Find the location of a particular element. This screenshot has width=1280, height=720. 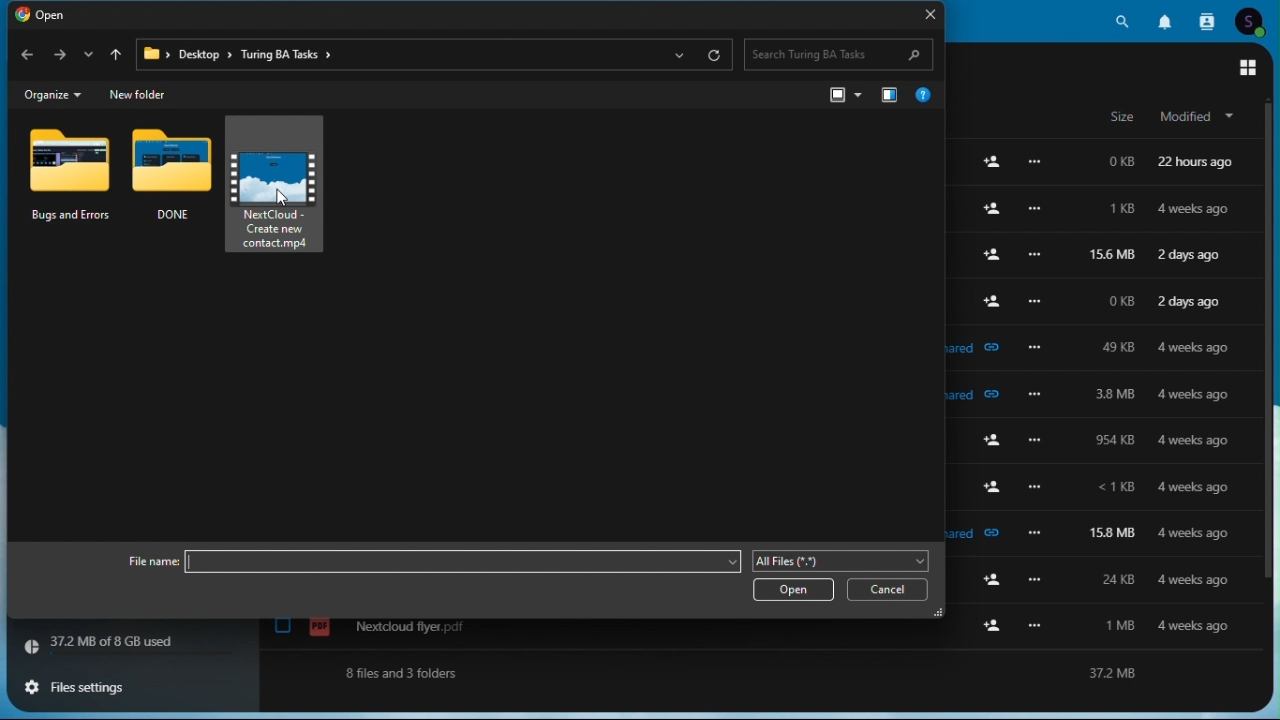

22 hours ago is located at coordinates (1203, 162).